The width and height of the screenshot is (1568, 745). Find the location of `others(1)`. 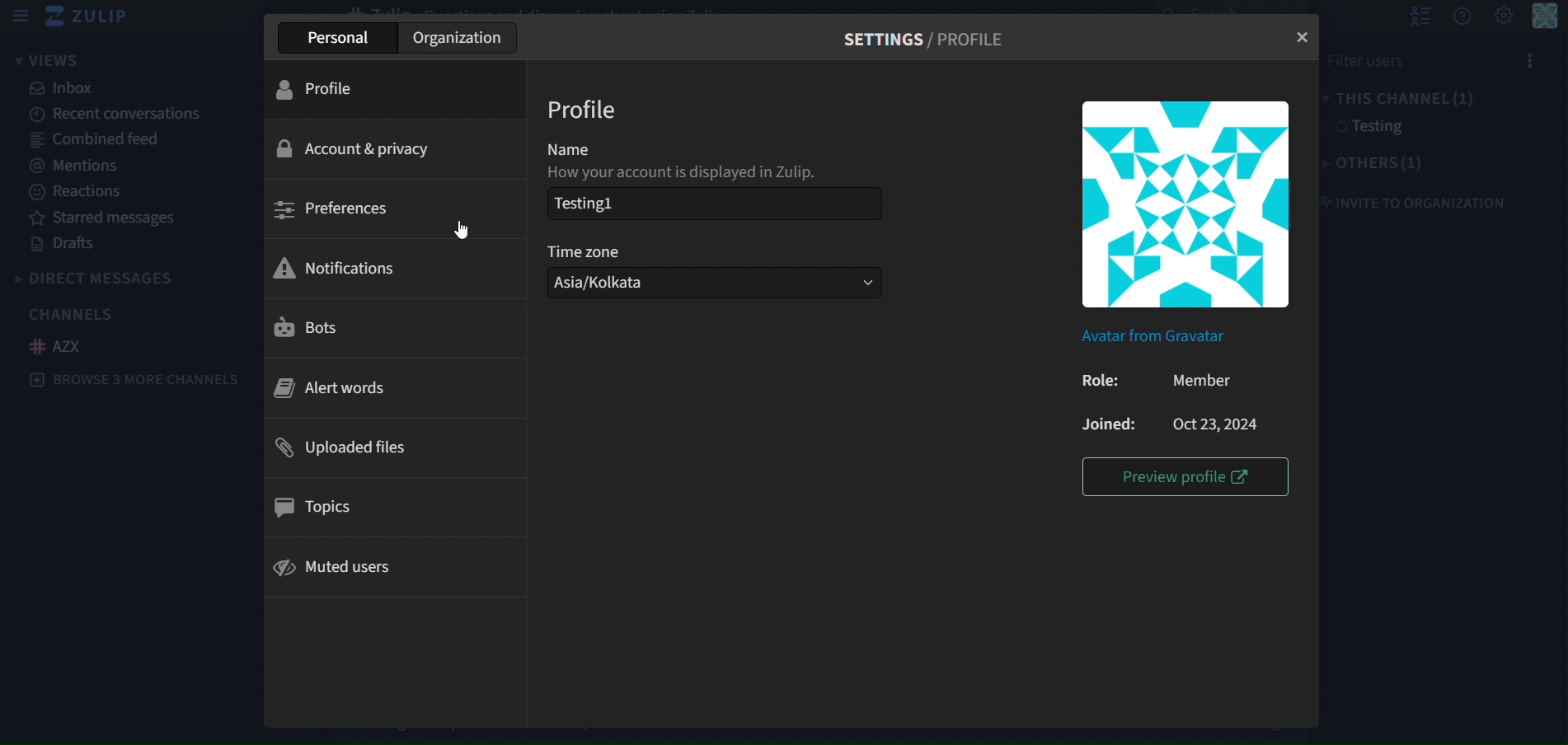

others(1) is located at coordinates (1376, 162).